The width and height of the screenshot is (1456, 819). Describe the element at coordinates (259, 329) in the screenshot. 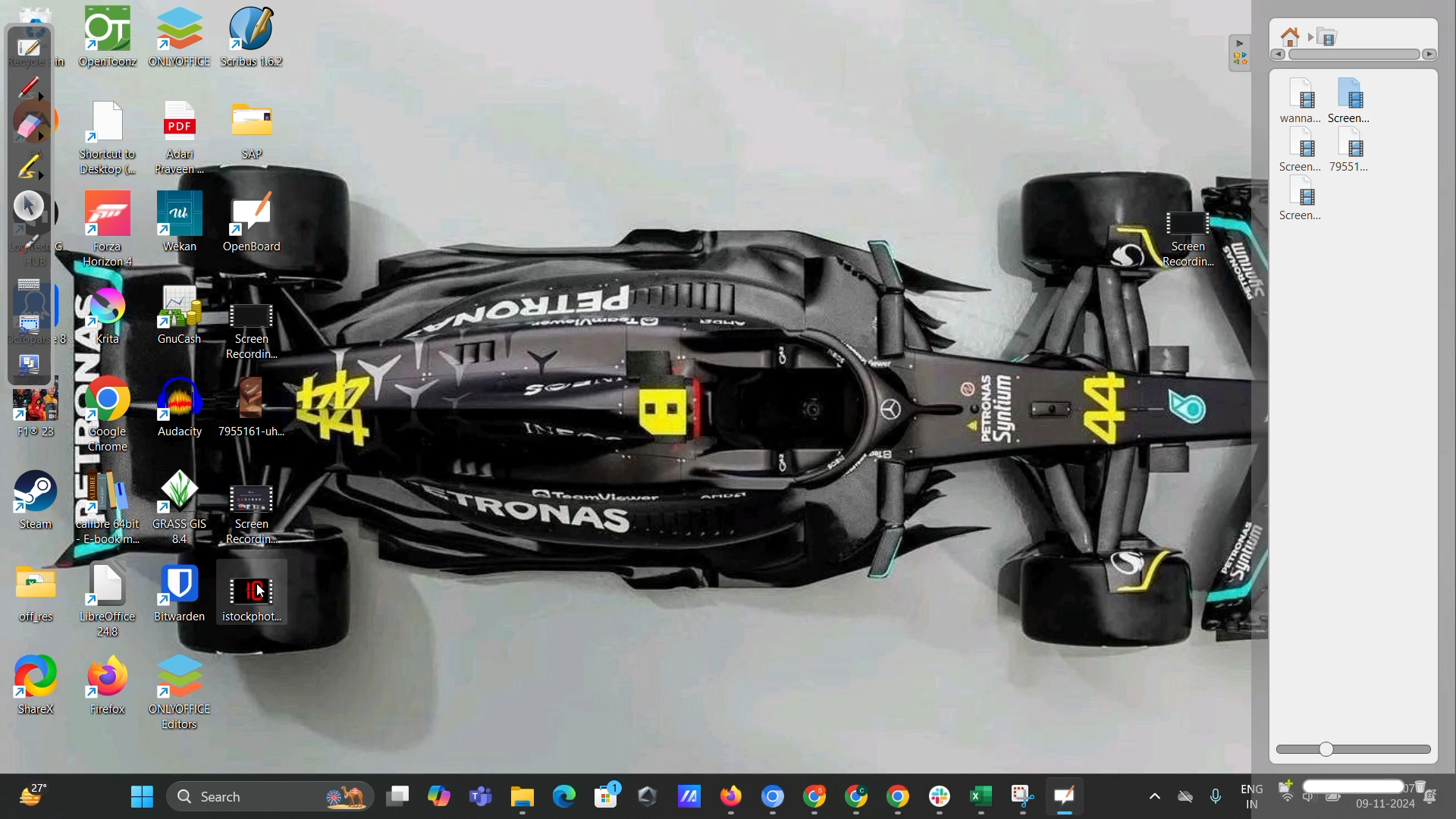

I see `Screen Recording` at that location.